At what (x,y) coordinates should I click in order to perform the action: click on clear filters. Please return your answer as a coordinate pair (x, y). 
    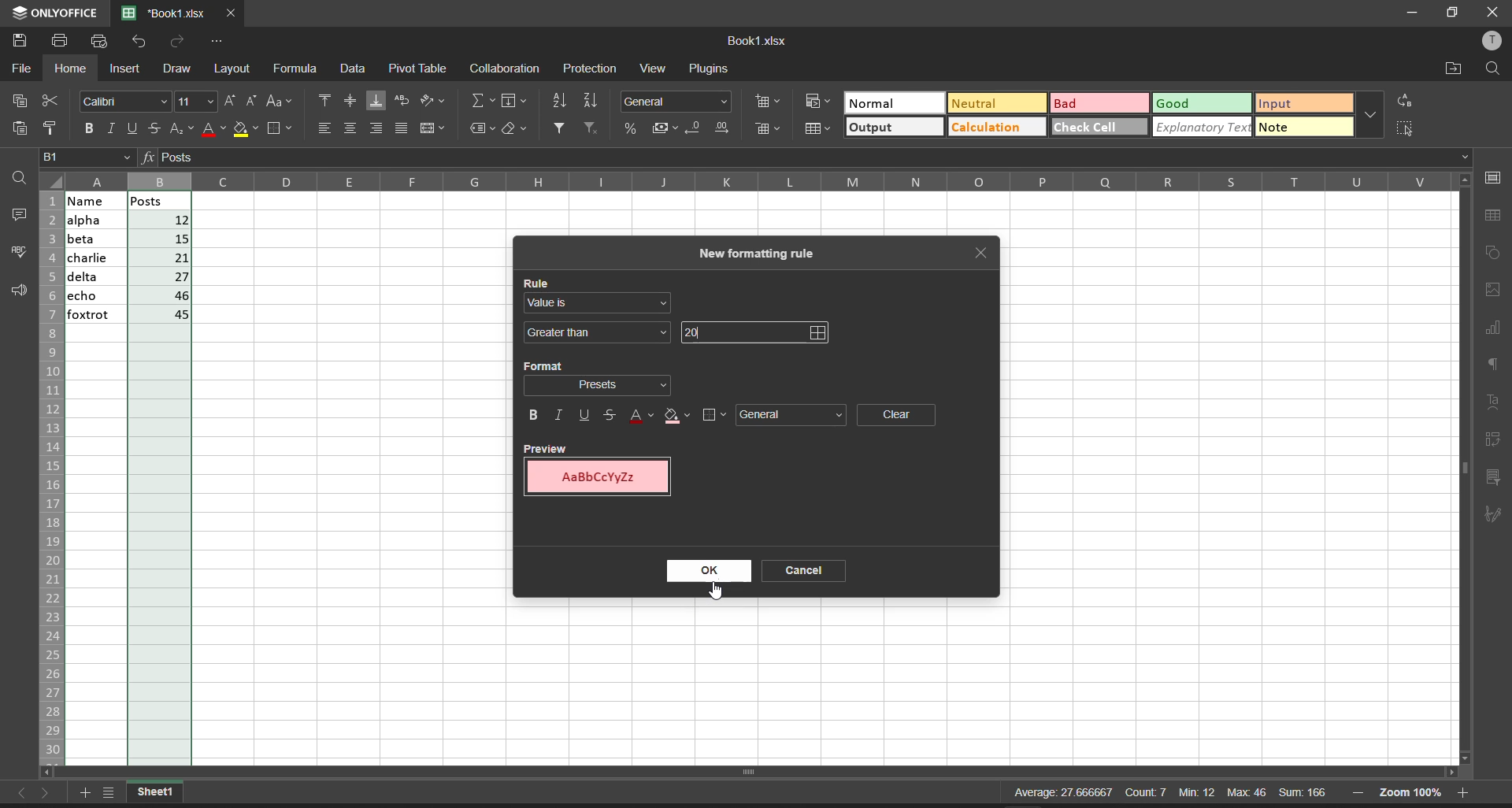
    Looking at the image, I should click on (590, 131).